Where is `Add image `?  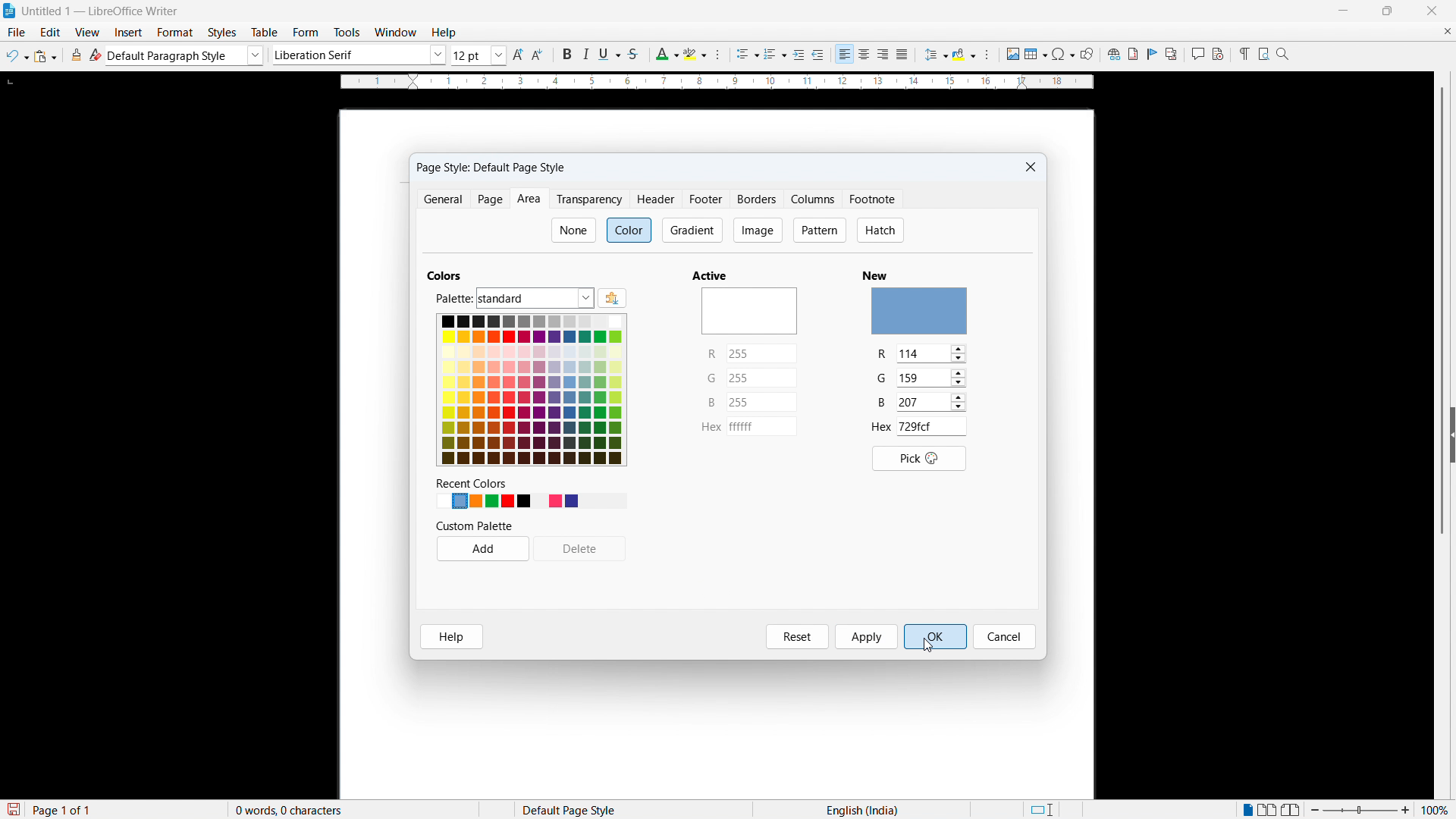 Add image  is located at coordinates (1012, 53).